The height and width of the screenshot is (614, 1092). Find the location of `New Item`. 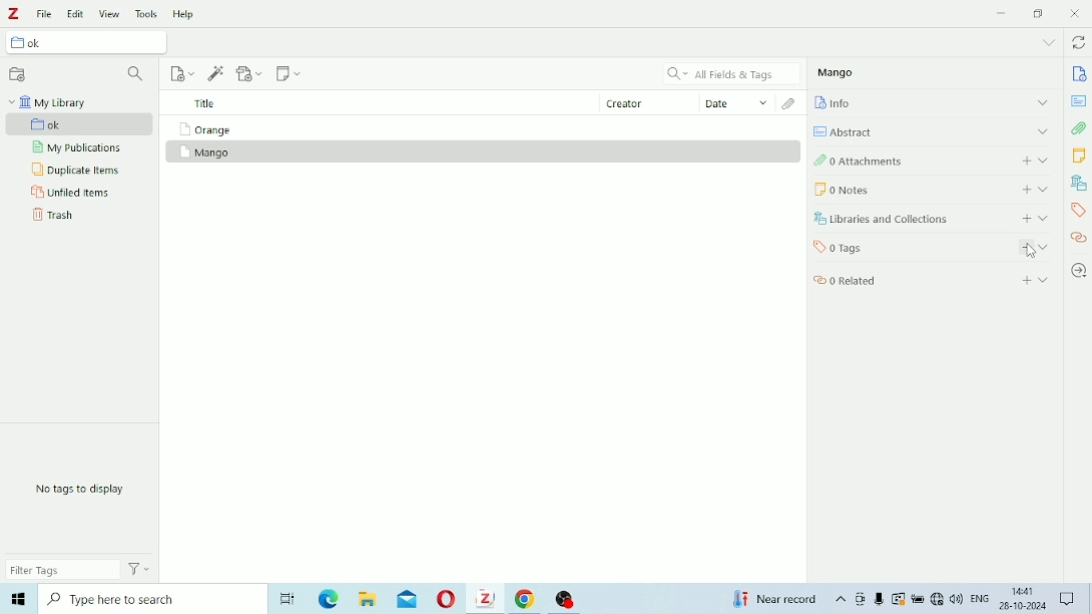

New Item is located at coordinates (183, 73).